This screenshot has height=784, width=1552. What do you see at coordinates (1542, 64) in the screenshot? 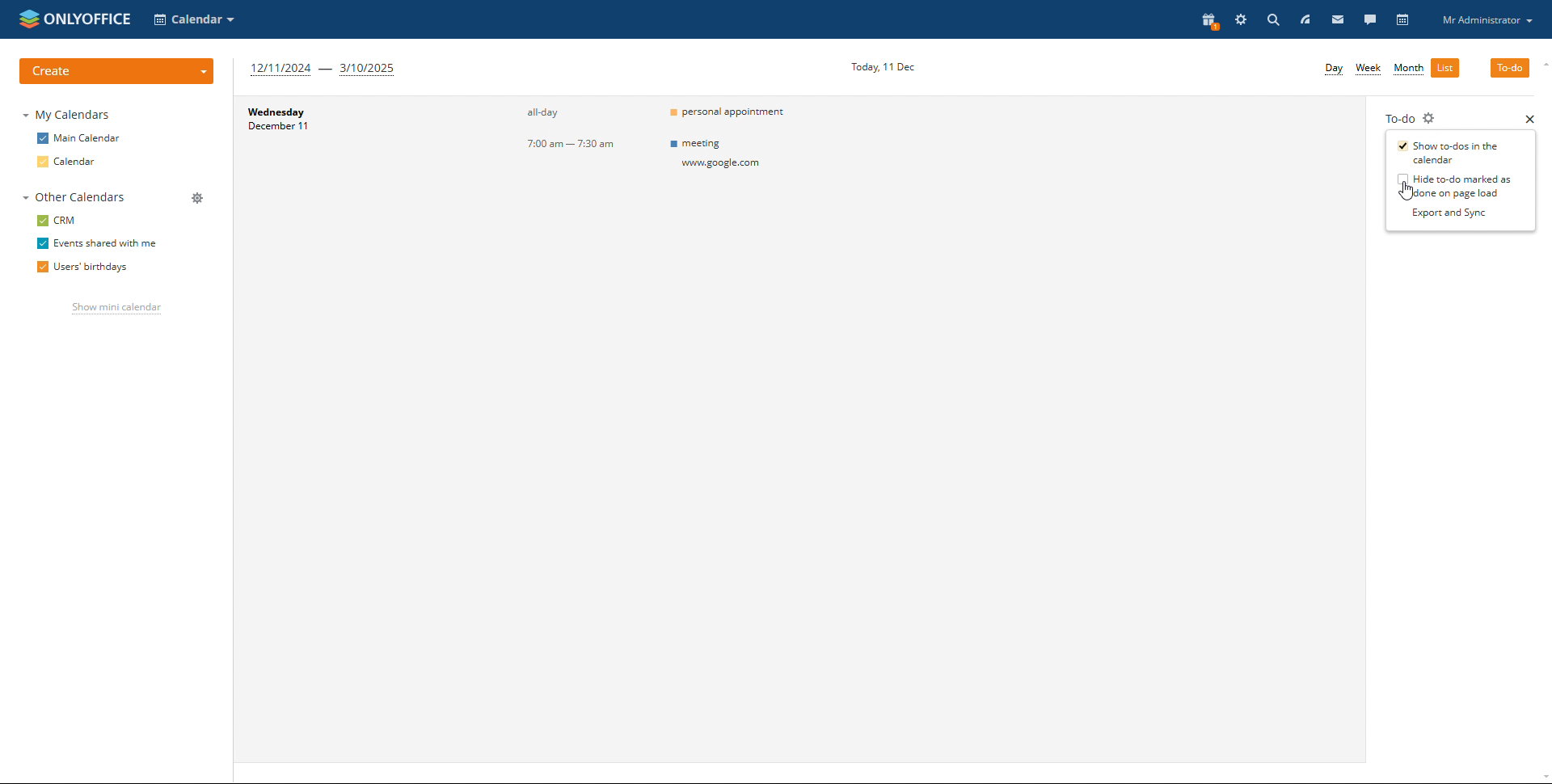
I see `scroll up` at bounding box center [1542, 64].